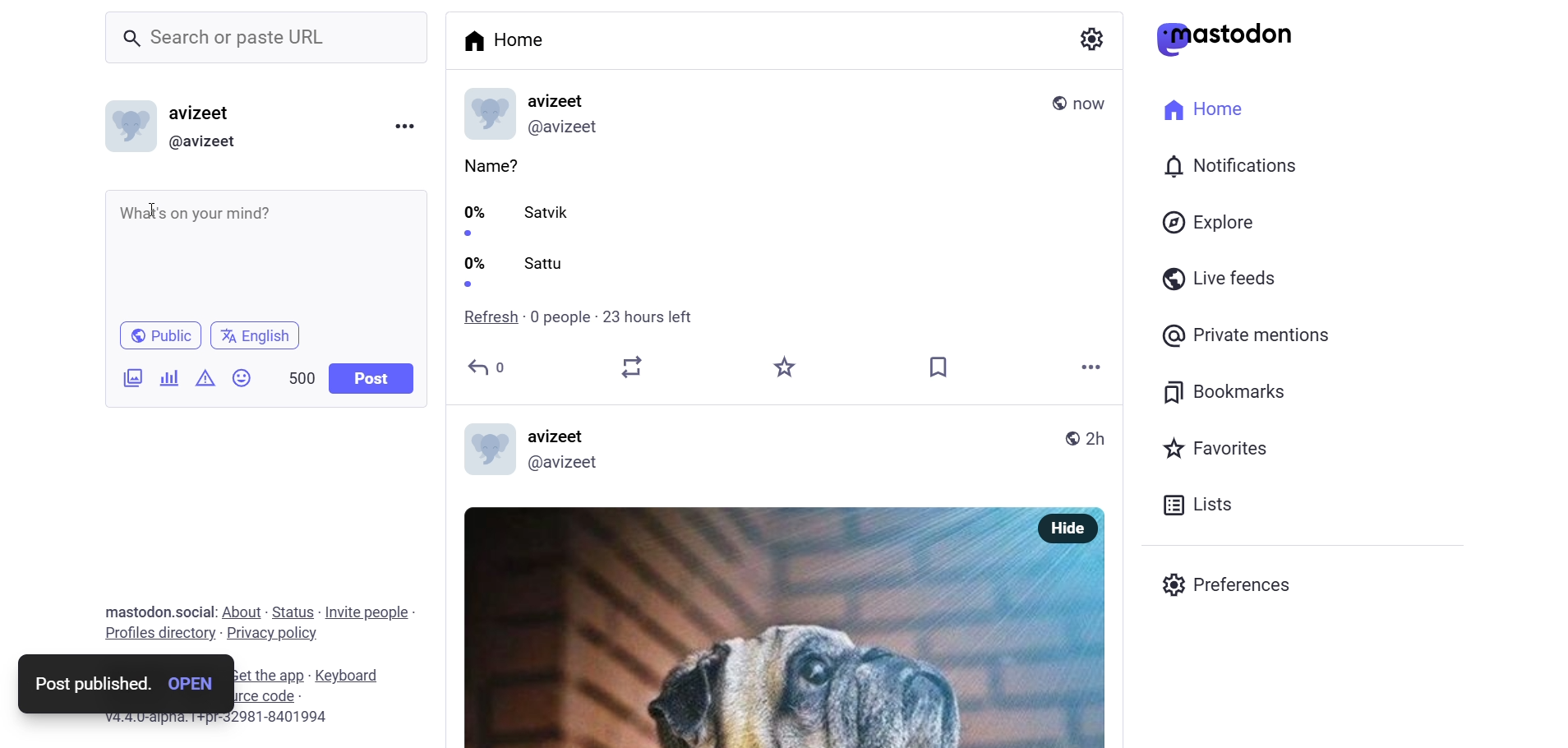  What do you see at coordinates (90, 683) in the screenshot?
I see `post published` at bounding box center [90, 683].